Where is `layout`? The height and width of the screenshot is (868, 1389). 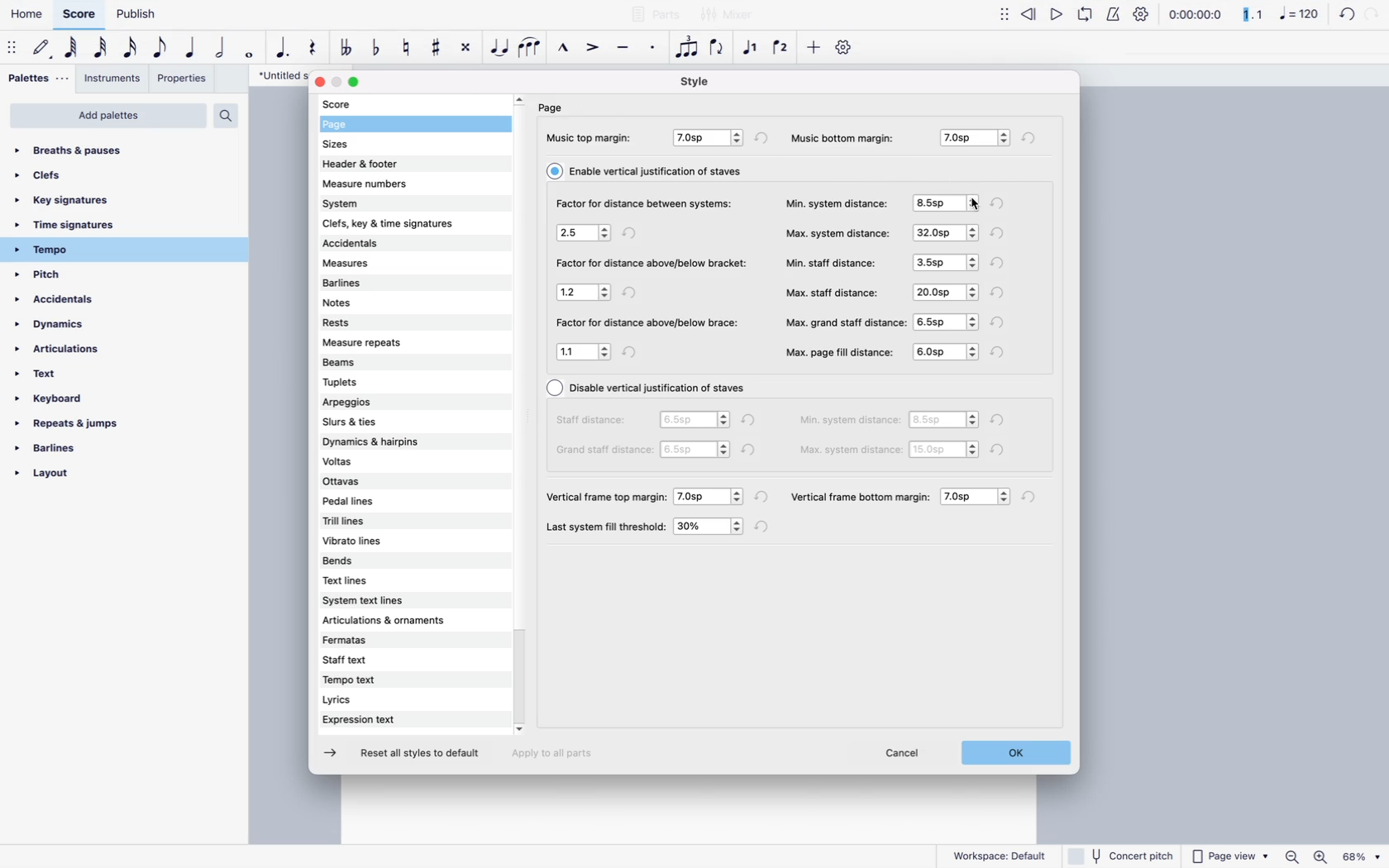 layout is located at coordinates (79, 478).